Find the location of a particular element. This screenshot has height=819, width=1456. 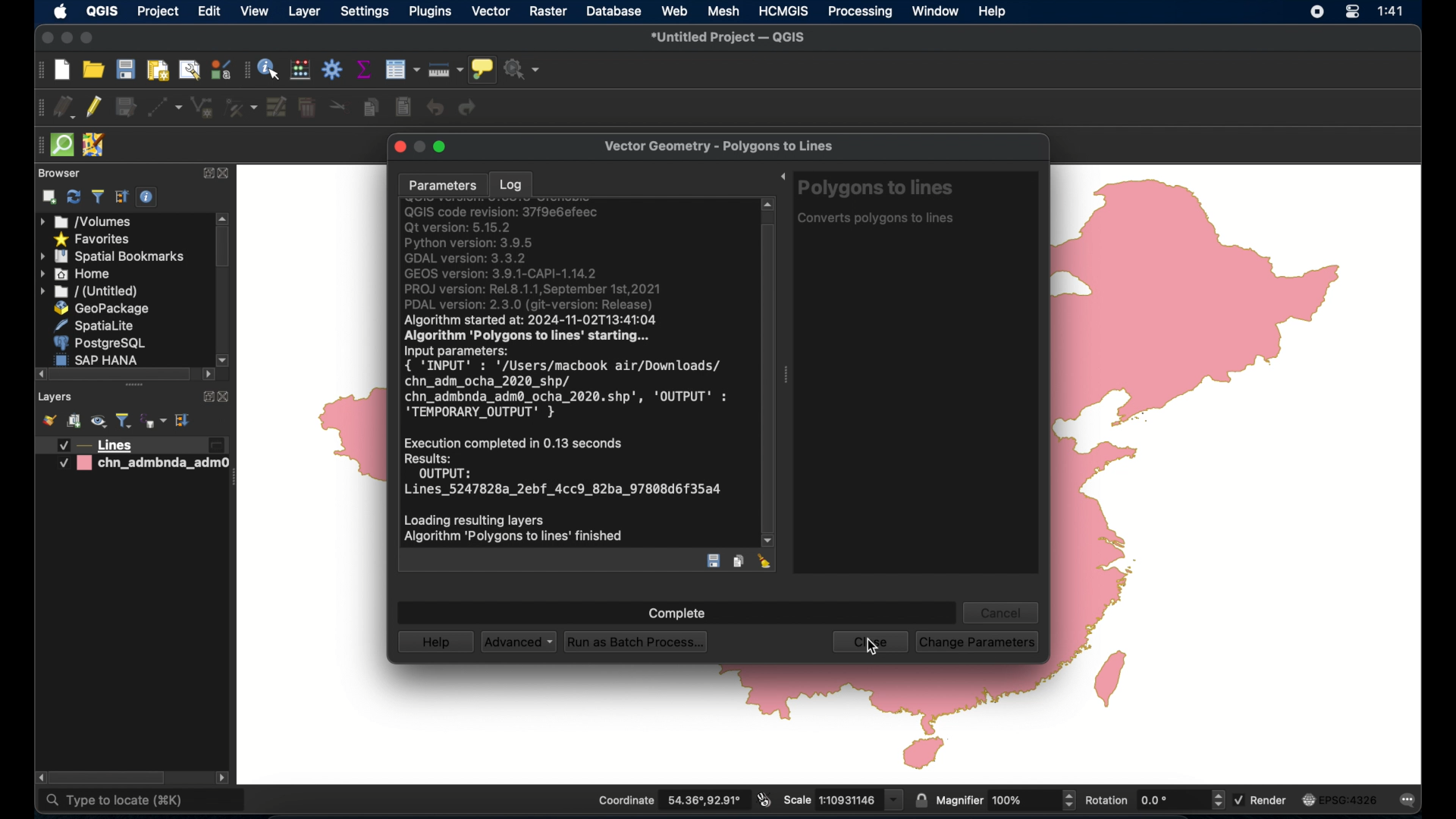

vector is located at coordinates (491, 12).